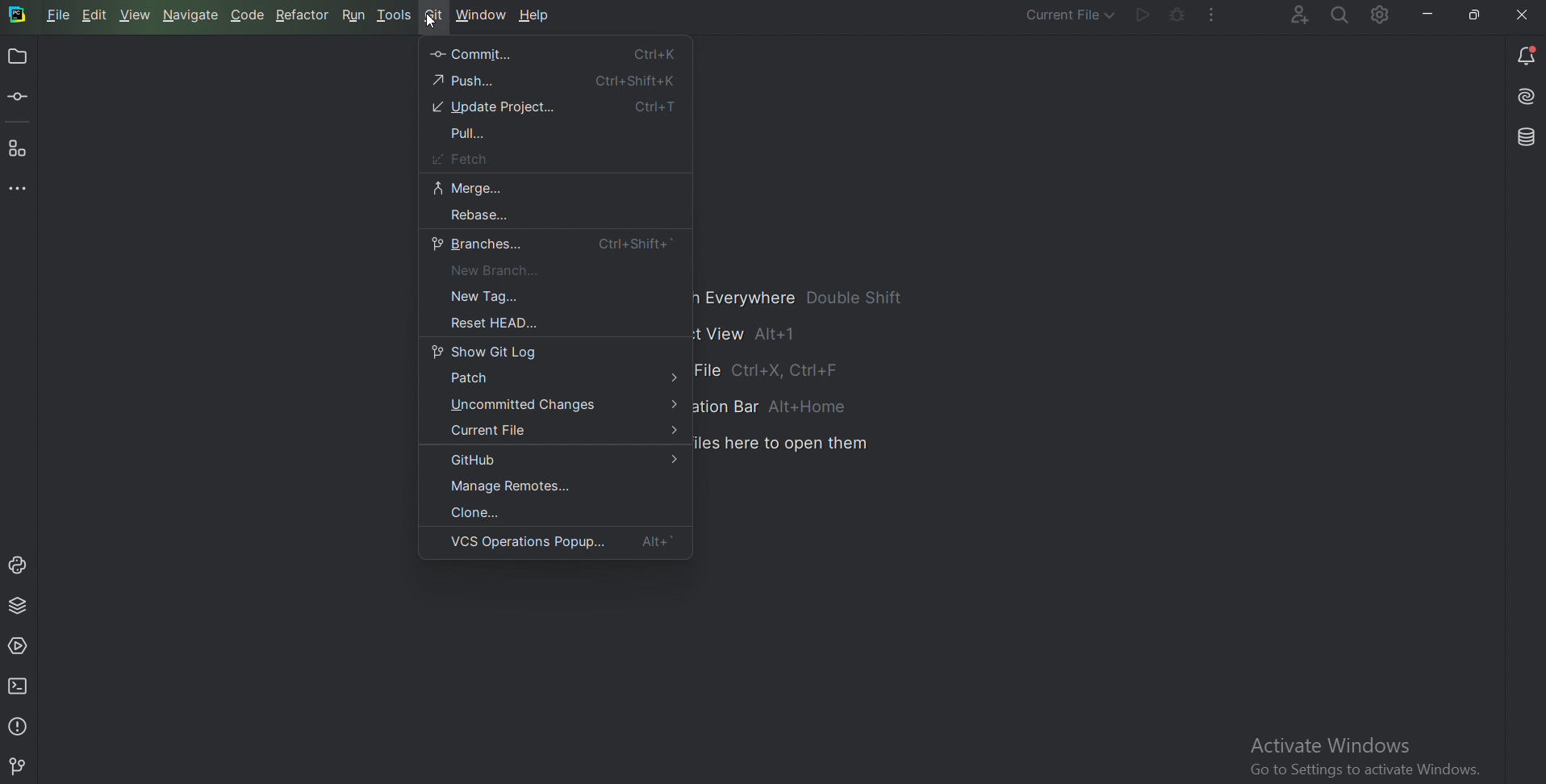  Describe the element at coordinates (18, 190) in the screenshot. I see `More tool windows` at that location.